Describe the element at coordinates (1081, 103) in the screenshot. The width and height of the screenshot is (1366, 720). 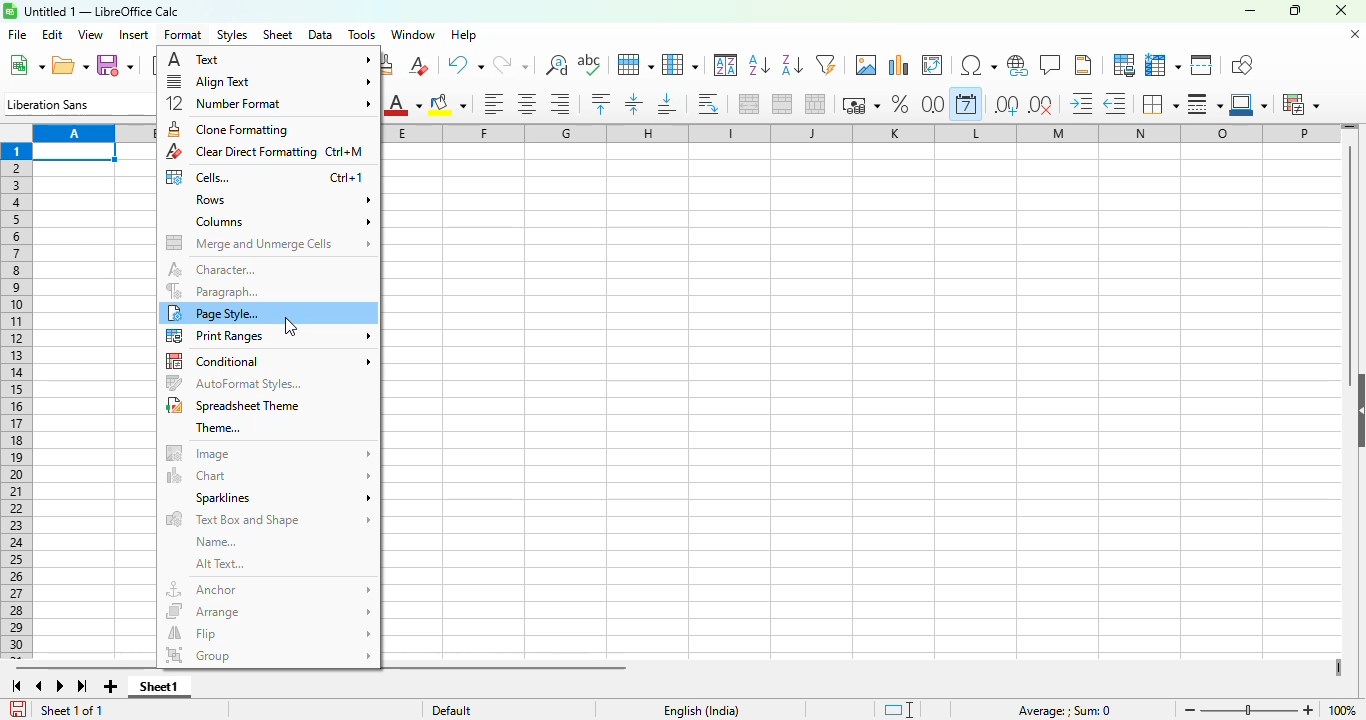
I see `increase indent` at that location.